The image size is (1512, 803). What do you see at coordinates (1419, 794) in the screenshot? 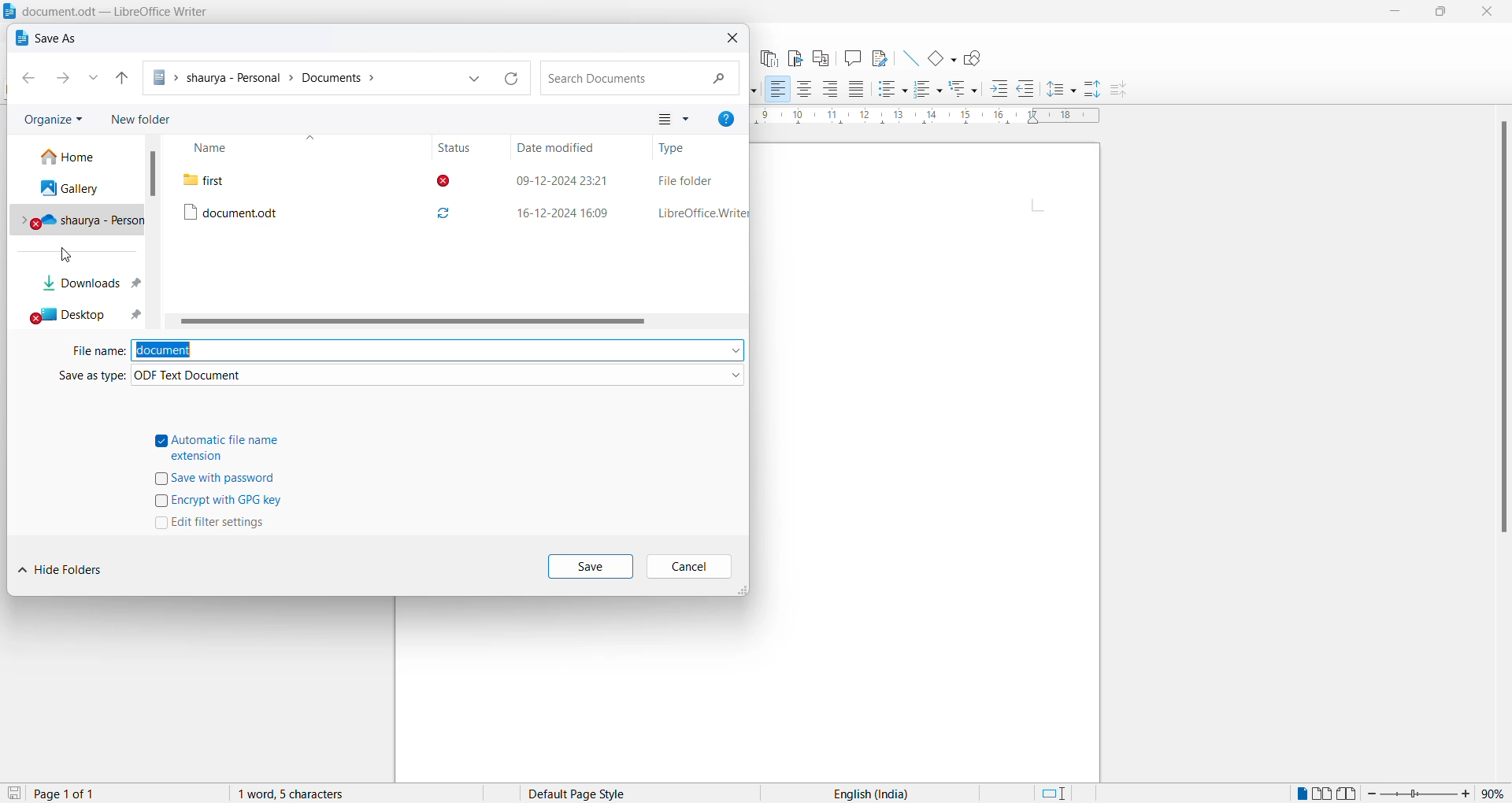
I see `Zoom slider` at bounding box center [1419, 794].